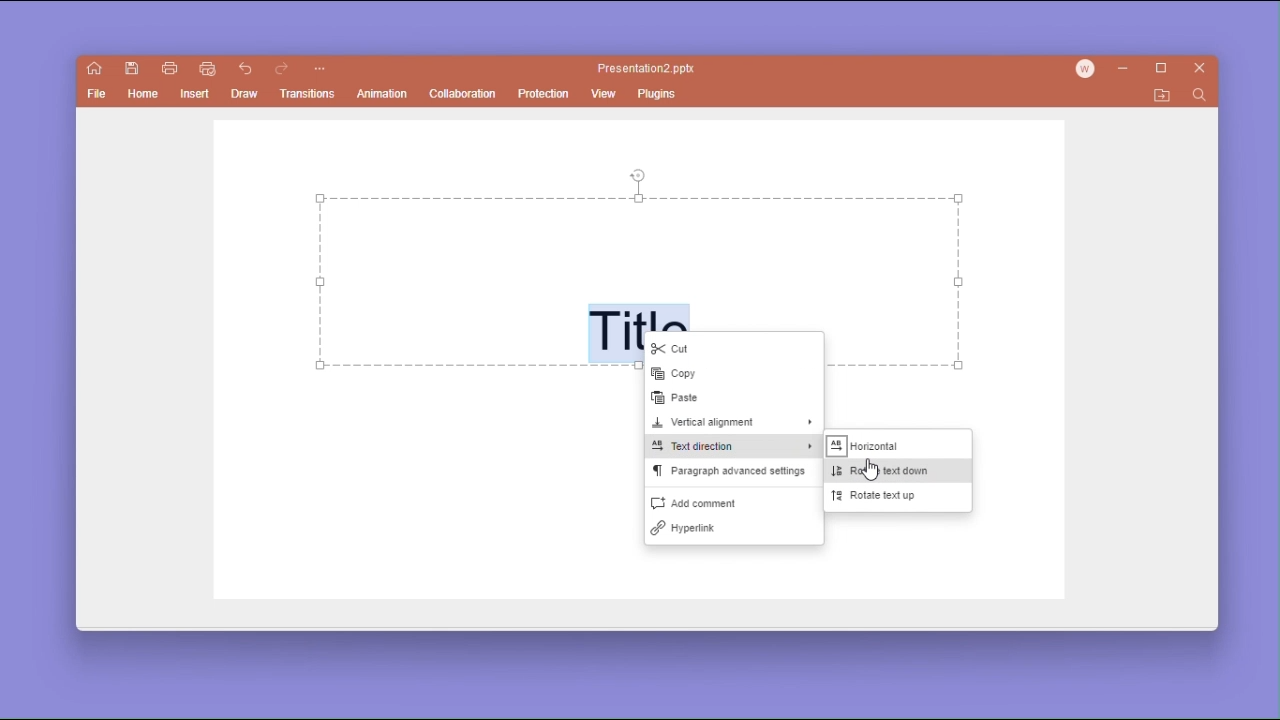 The height and width of the screenshot is (720, 1280). I want to click on vertical alignment, so click(733, 424).